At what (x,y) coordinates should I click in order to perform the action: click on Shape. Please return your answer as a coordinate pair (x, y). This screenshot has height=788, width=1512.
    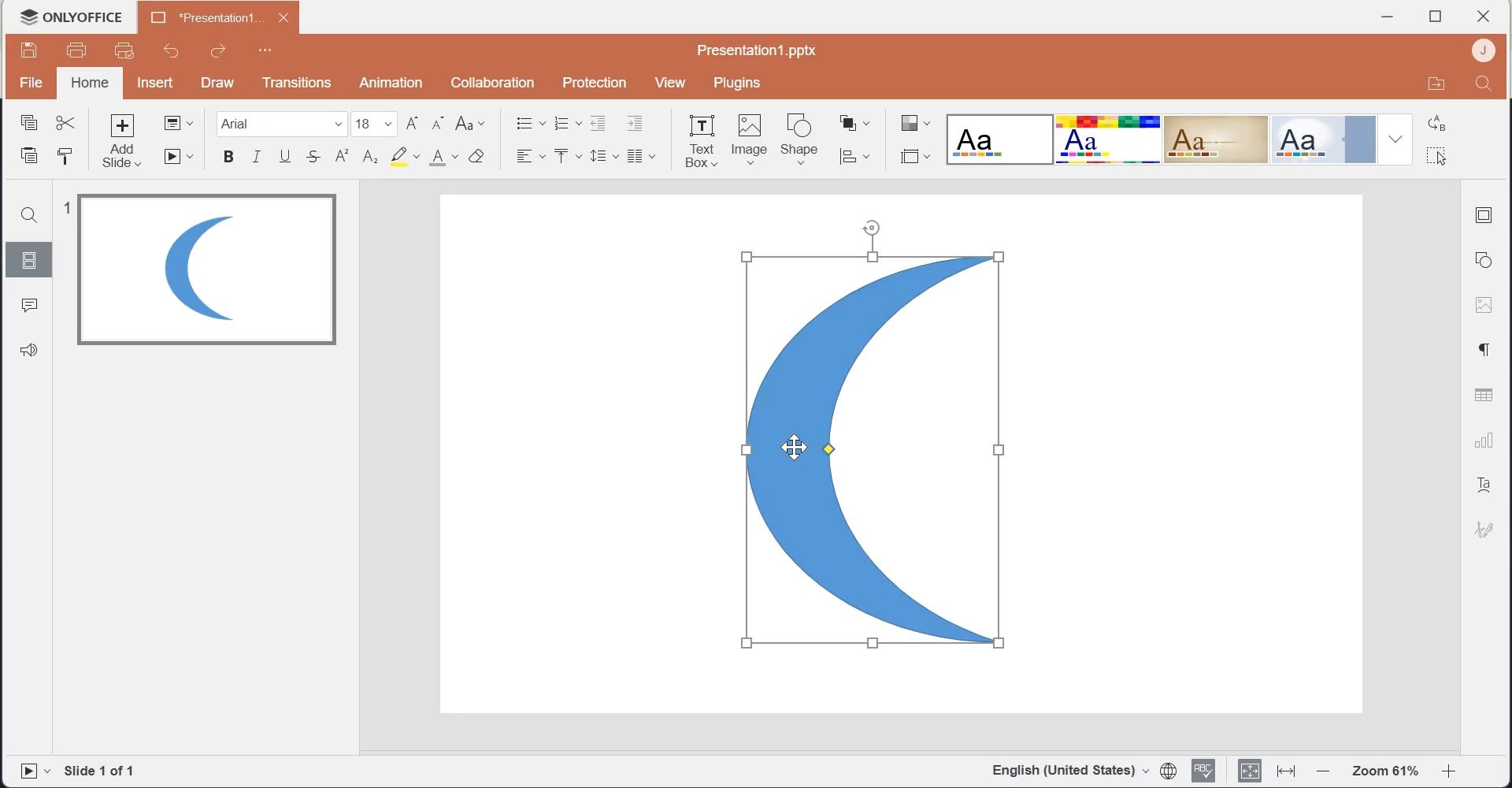
    Looking at the image, I should click on (802, 138).